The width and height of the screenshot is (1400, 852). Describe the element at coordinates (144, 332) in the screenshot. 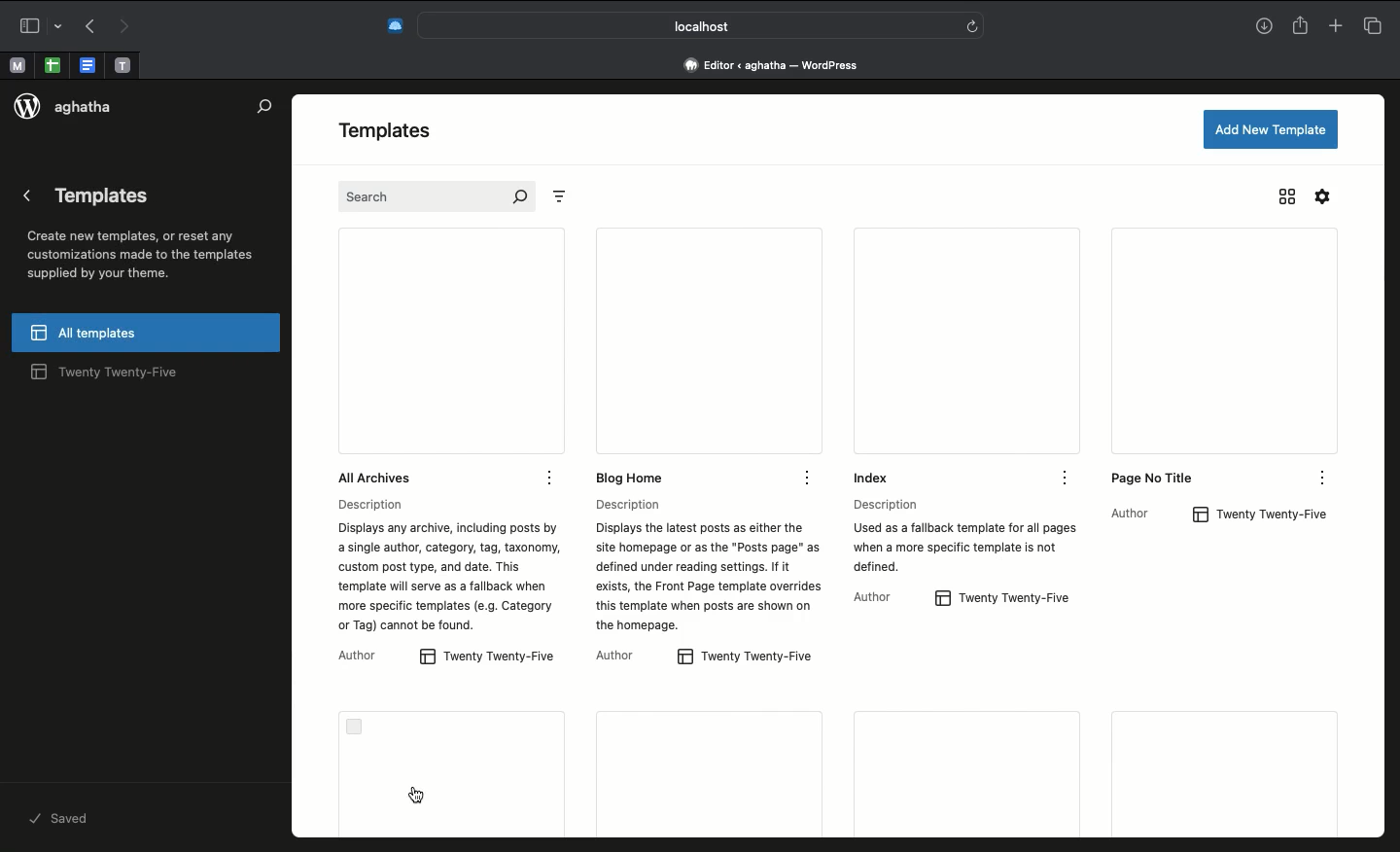

I see `All templates` at that location.